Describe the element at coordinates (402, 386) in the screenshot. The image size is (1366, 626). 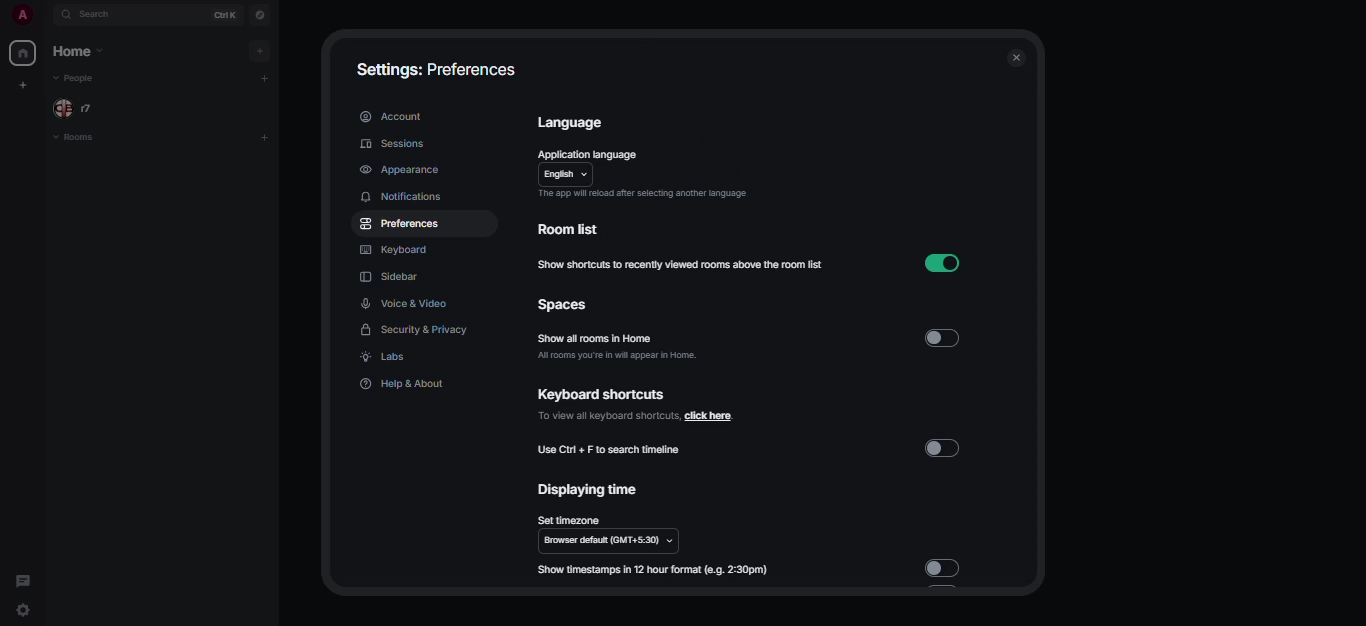
I see `help & about` at that location.